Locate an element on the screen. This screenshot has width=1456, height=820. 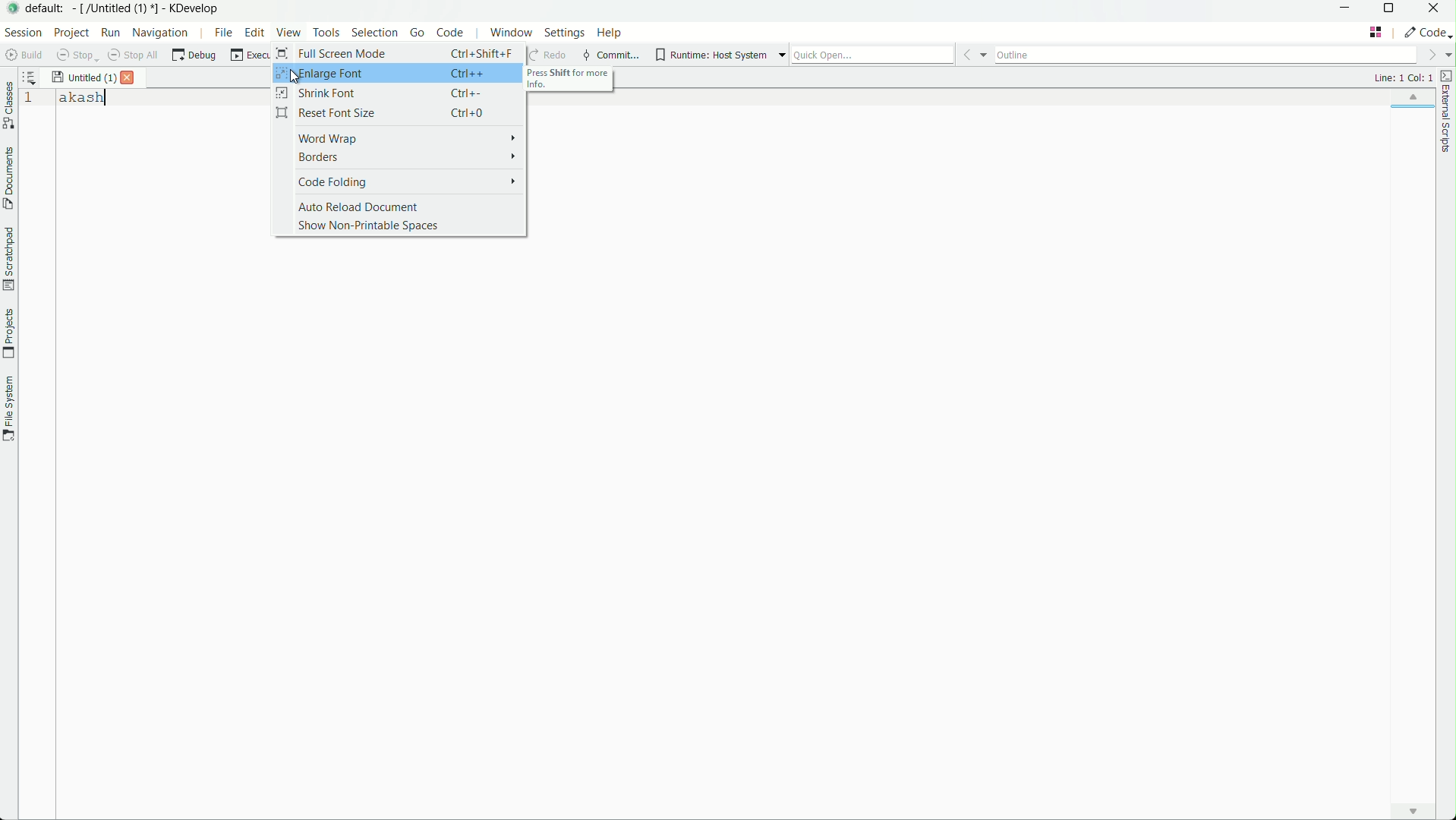
1 is located at coordinates (30, 102).